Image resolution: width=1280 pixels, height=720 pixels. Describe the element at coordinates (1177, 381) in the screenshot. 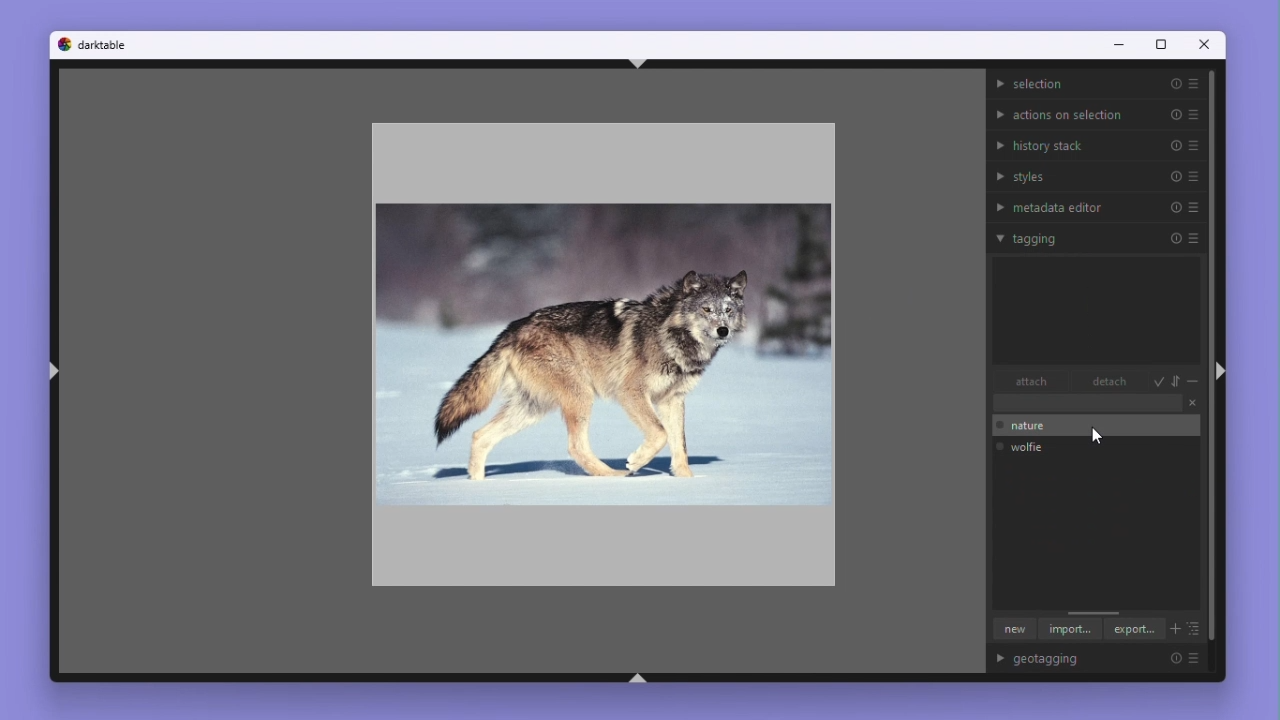

I see `sorting` at that location.